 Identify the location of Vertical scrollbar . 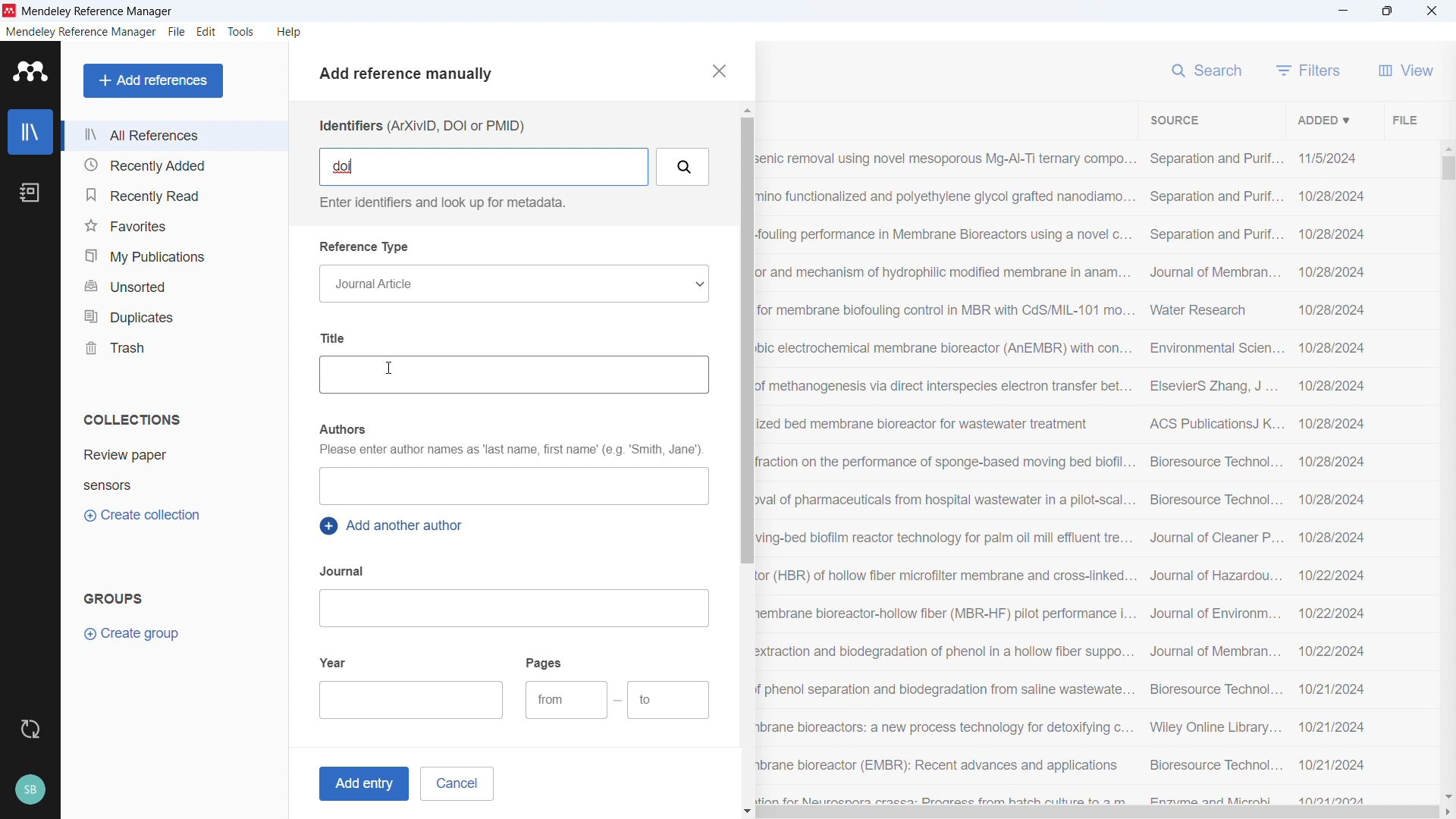
(1448, 168).